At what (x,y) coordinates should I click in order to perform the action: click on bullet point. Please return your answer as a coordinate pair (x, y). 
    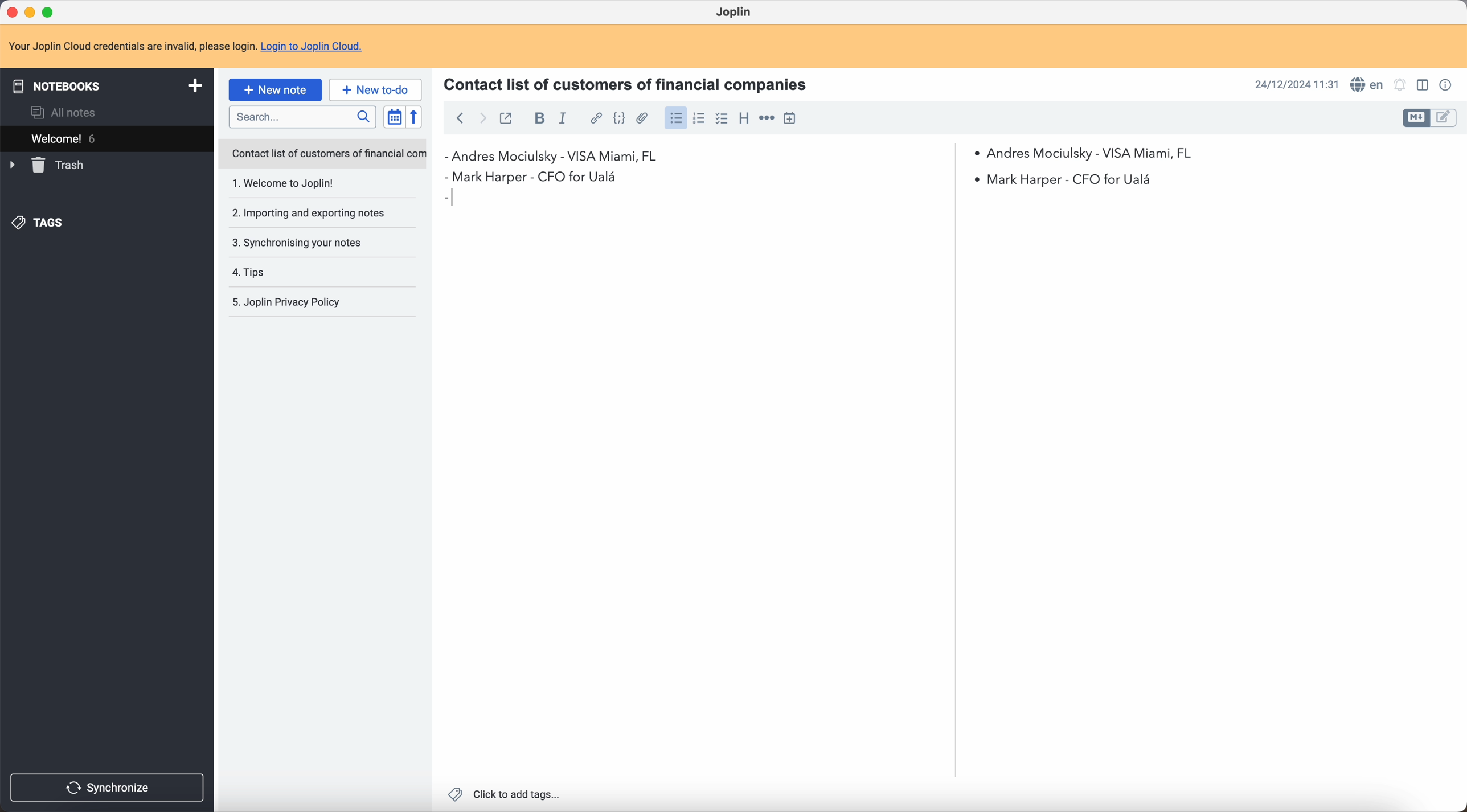
    Looking at the image, I should click on (453, 197).